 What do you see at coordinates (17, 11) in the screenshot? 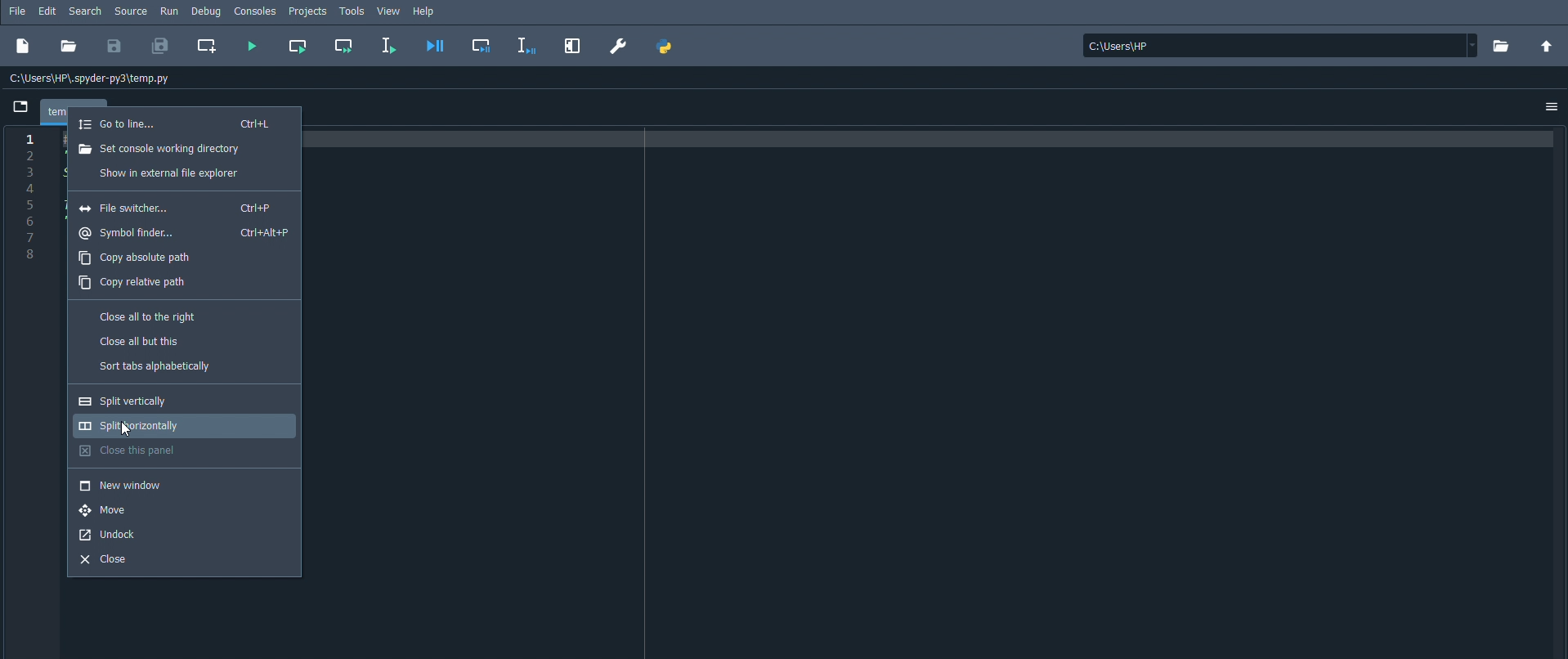
I see `File` at bounding box center [17, 11].